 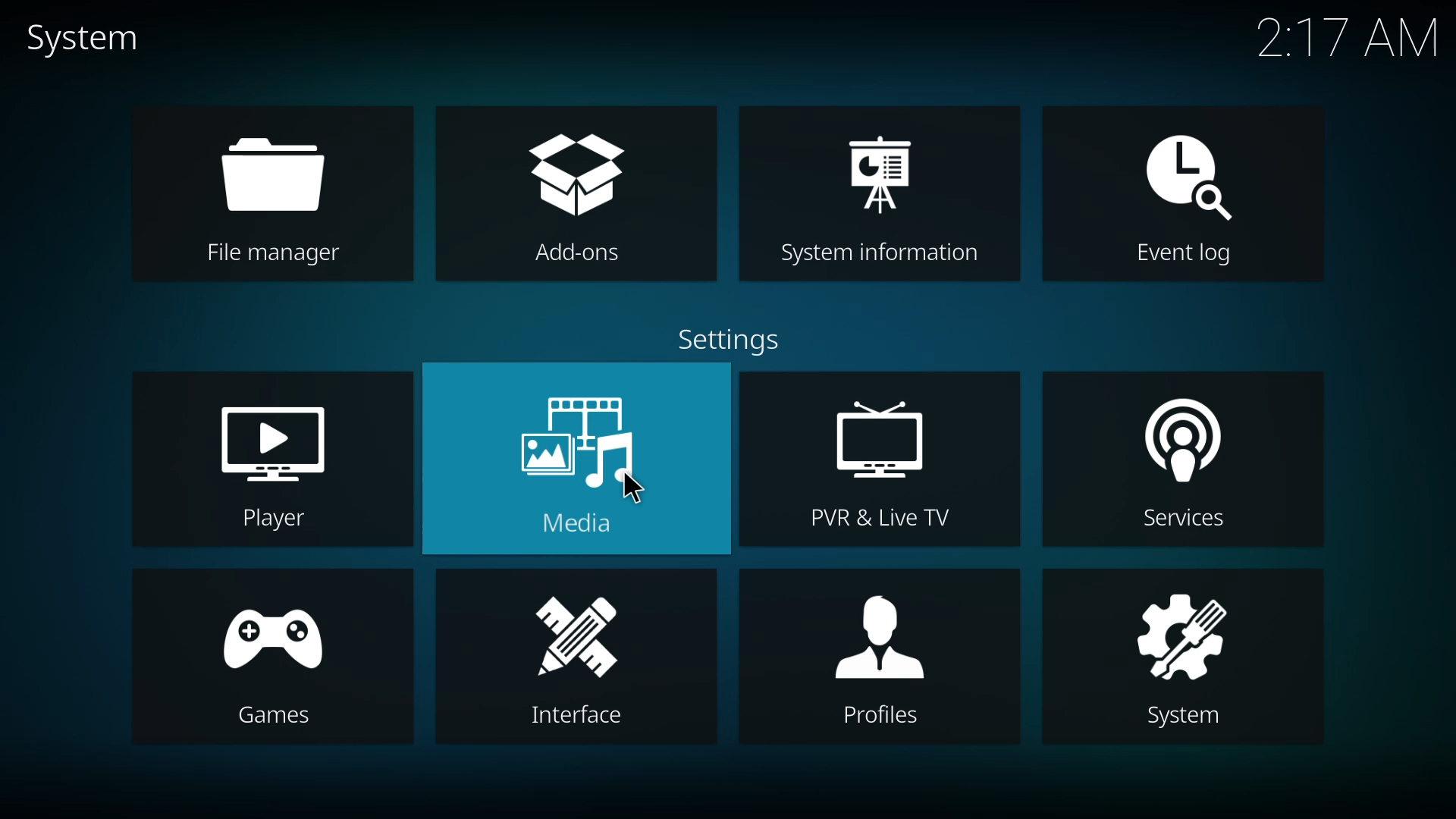 What do you see at coordinates (722, 338) in the screenshot?
I see `settings` at bounding box center [722, 338].